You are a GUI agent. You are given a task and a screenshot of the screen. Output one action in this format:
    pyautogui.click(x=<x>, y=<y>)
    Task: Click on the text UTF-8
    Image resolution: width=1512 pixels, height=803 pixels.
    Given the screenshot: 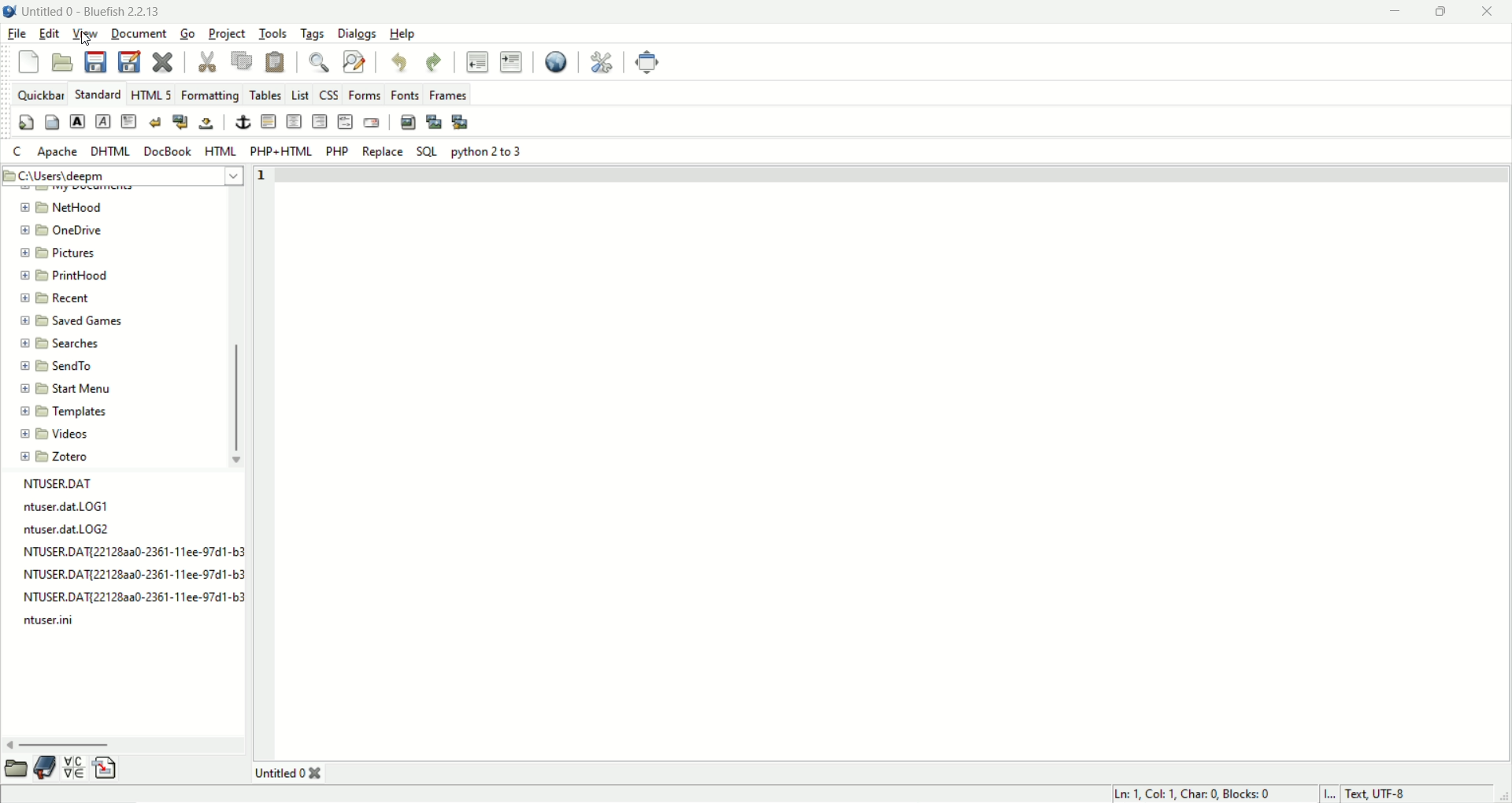 What is the action you would take?
    pyautogui.click(x=1417, y=794)
    